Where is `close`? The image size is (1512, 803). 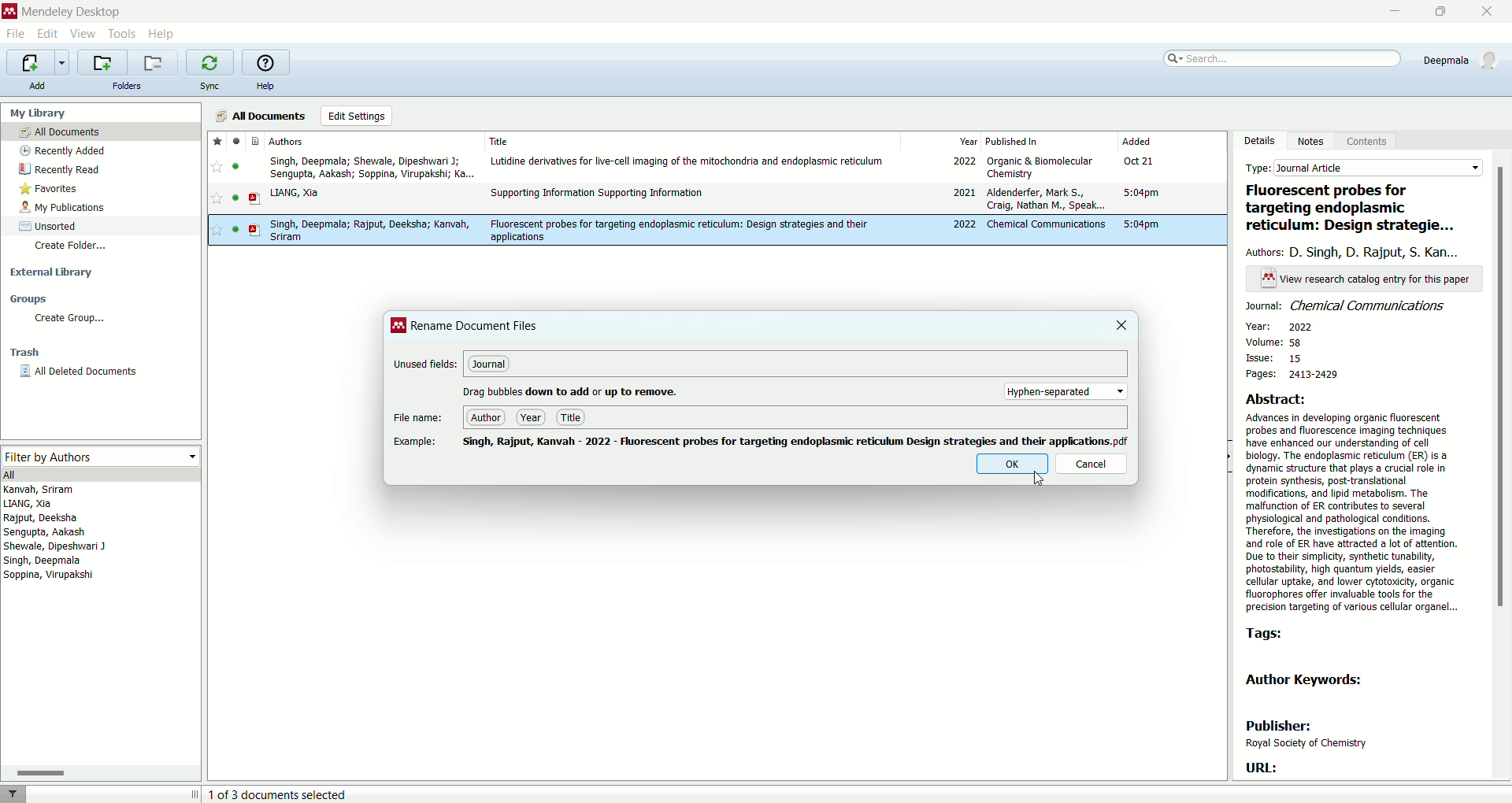
close is located at coordinates (1487, 12).